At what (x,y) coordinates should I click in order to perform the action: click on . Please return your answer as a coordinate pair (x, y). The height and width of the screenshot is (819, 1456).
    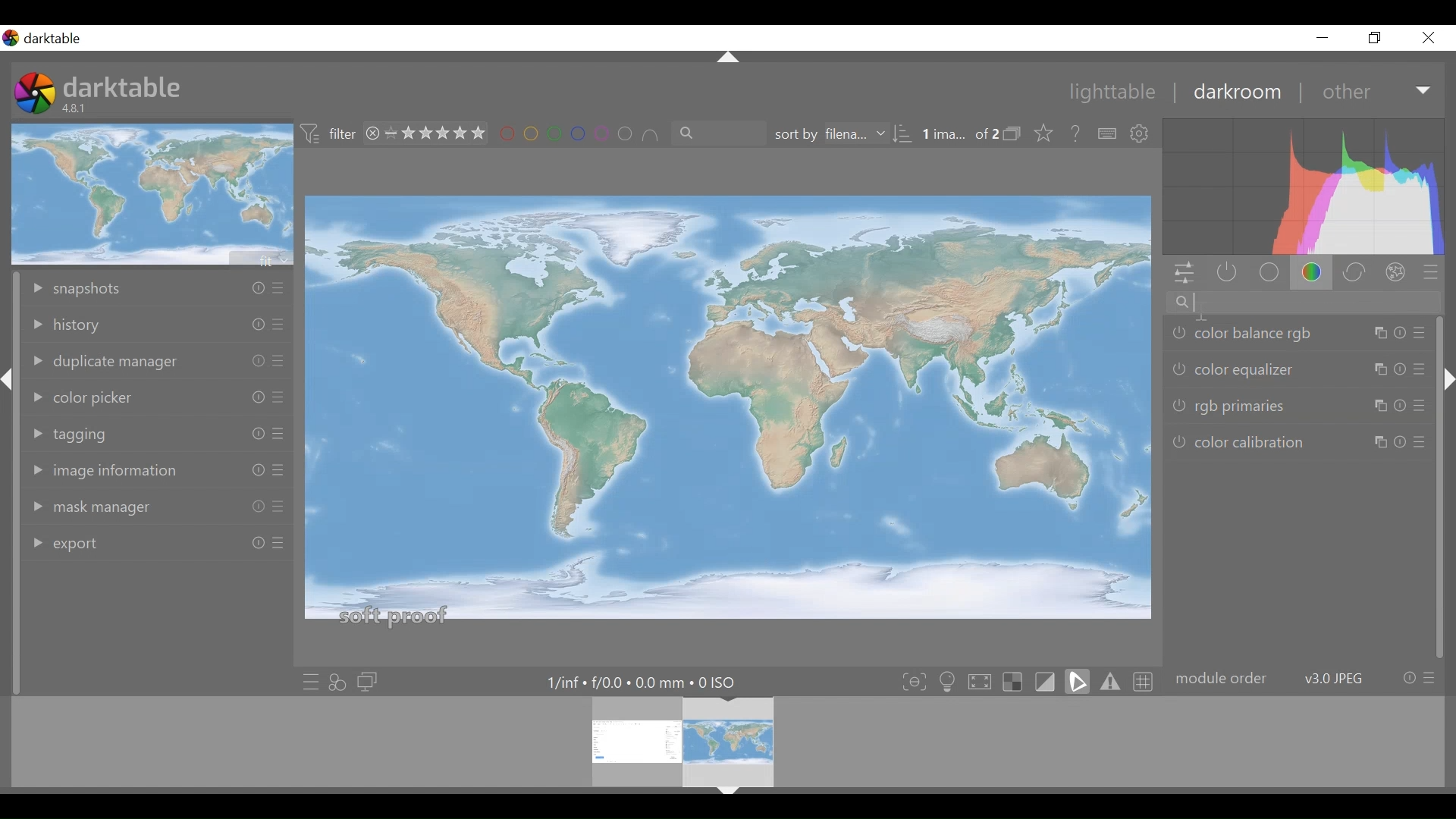
    Looking at the image, I should click on (255, 288).